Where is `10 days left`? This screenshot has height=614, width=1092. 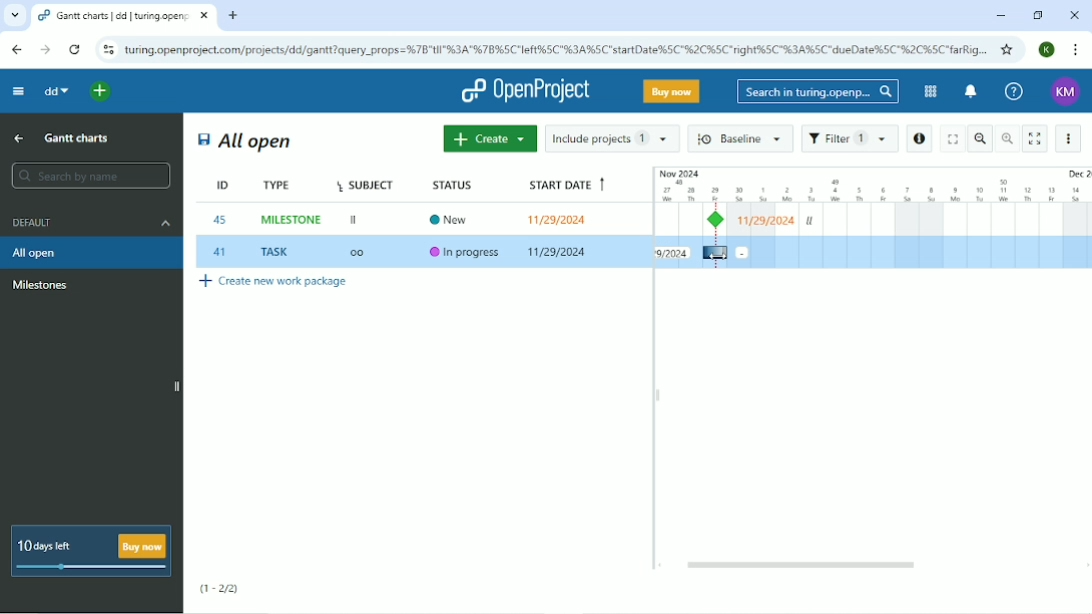 10 days left is located at coordinates (89, 551).